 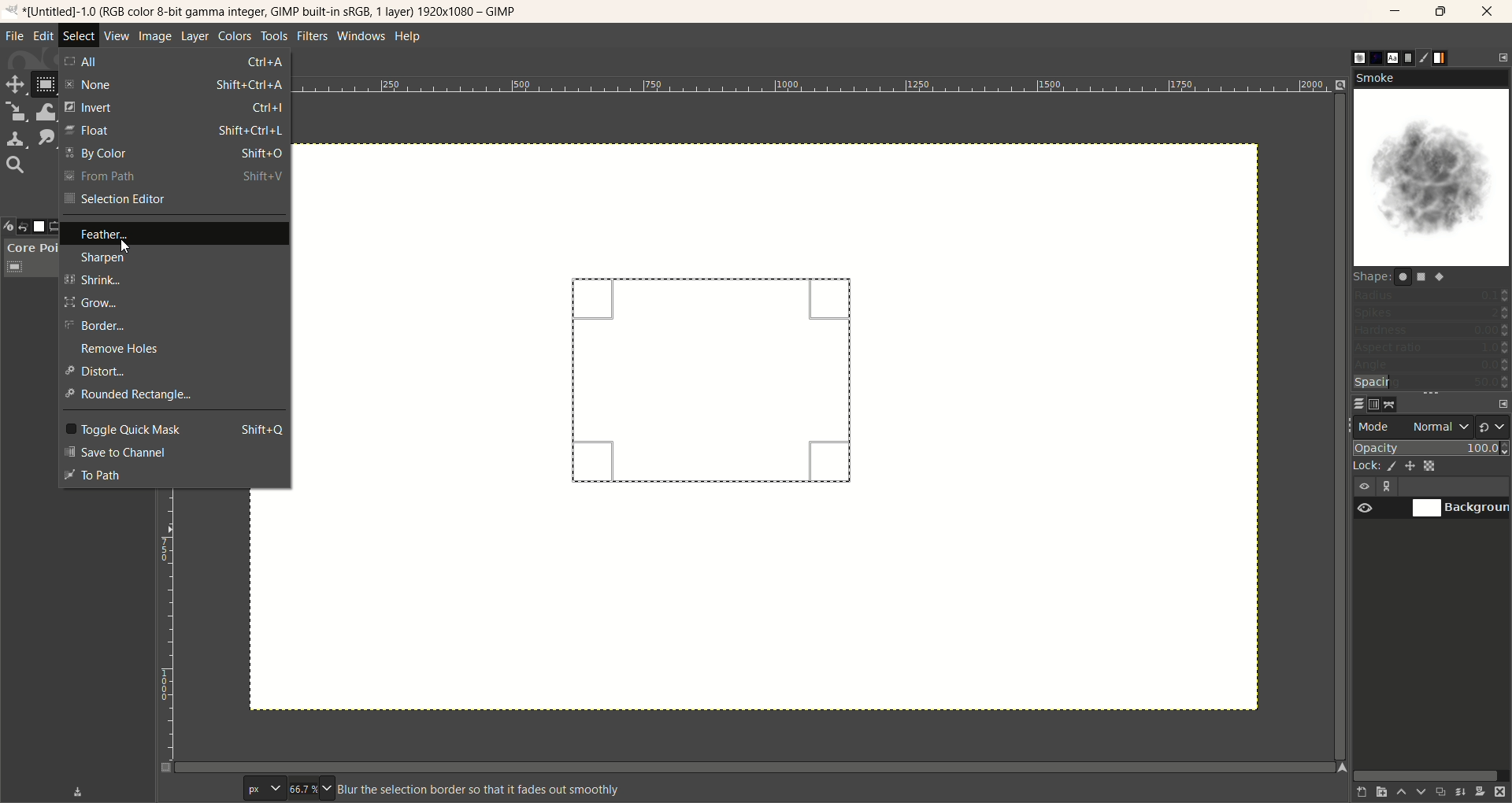 I want to click on document histor, so click(x=1405, y=57).